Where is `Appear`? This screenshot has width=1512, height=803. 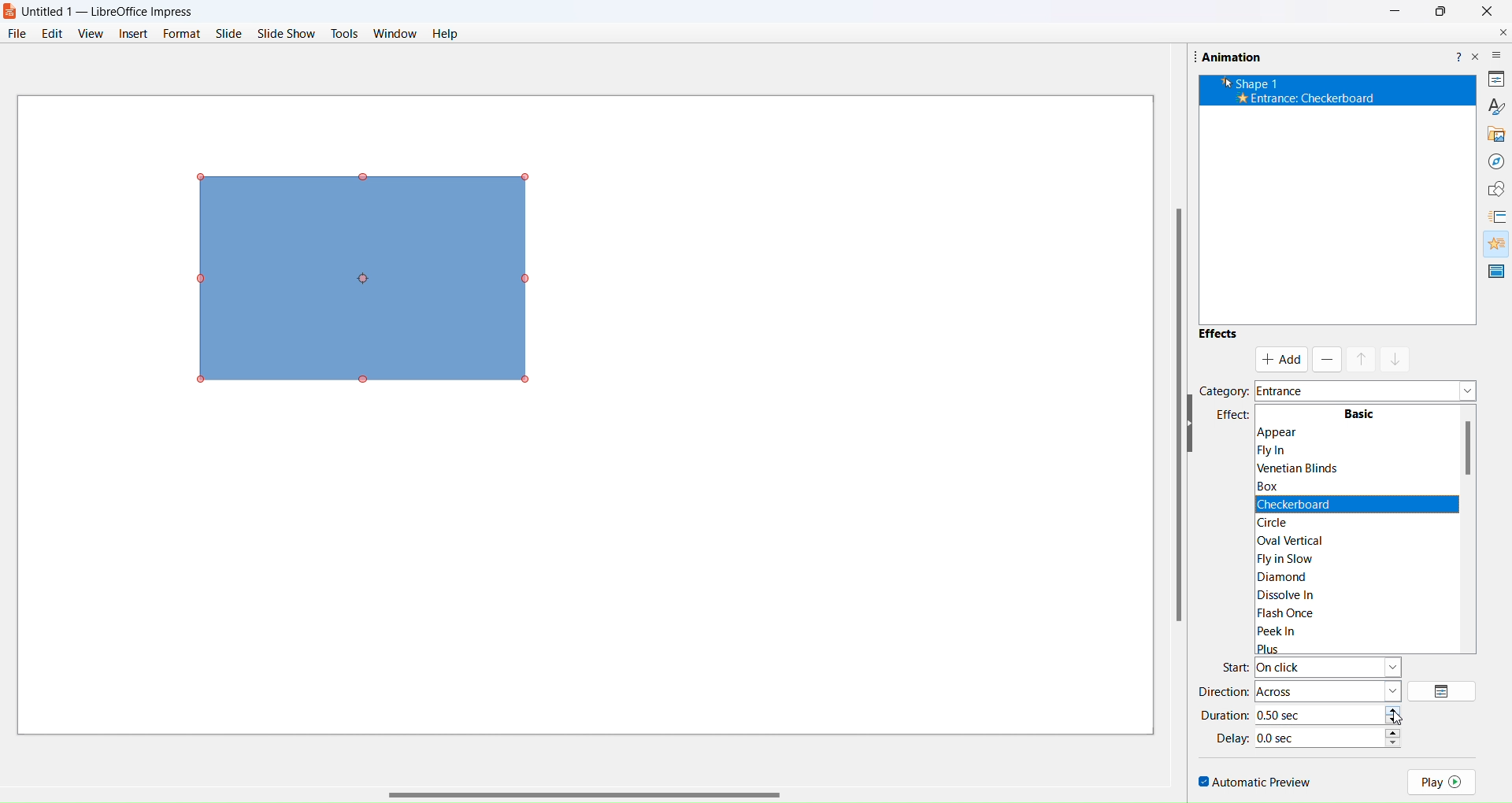 Appear is located at coordinates (1324, 432).